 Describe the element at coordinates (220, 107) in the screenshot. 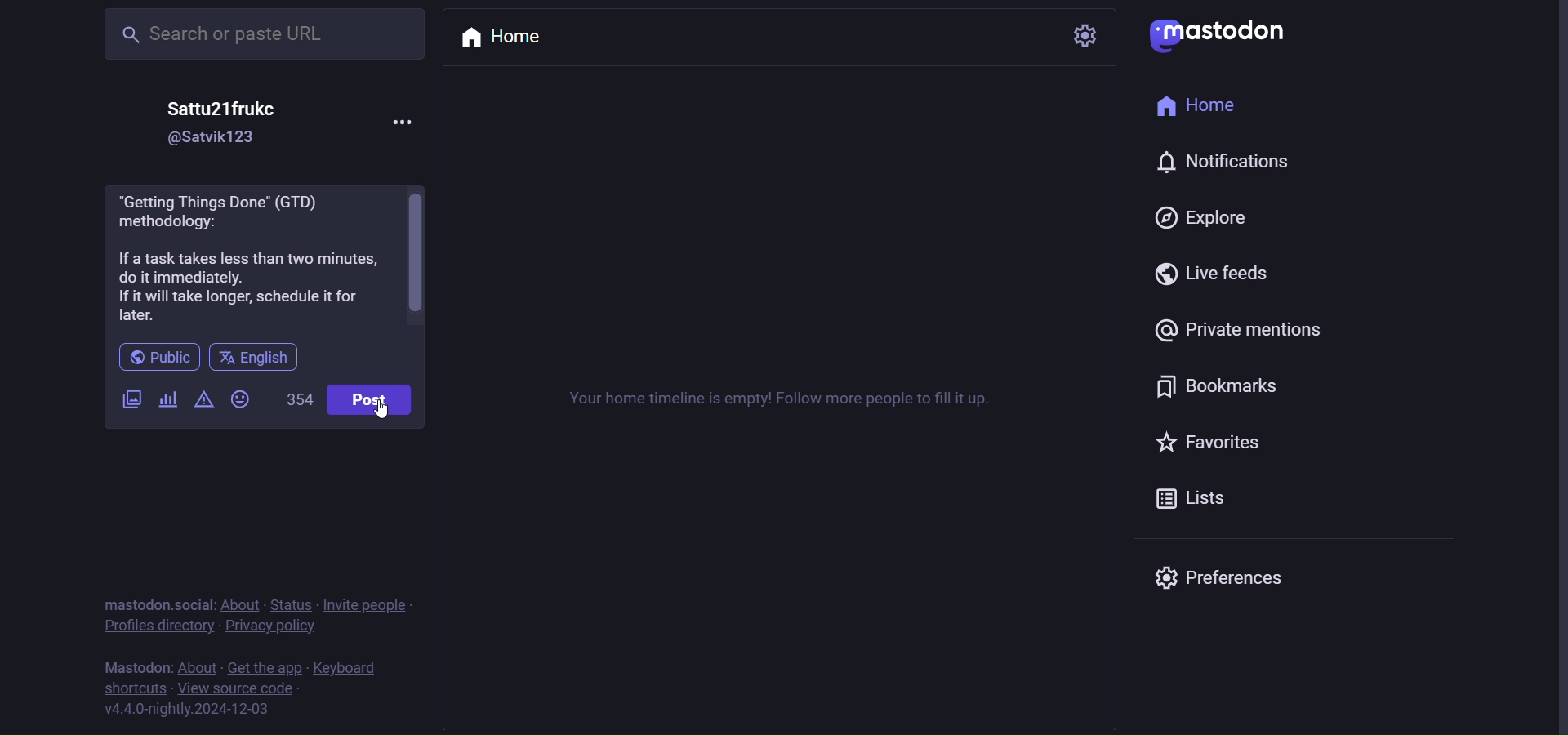

I see `name` at that location.